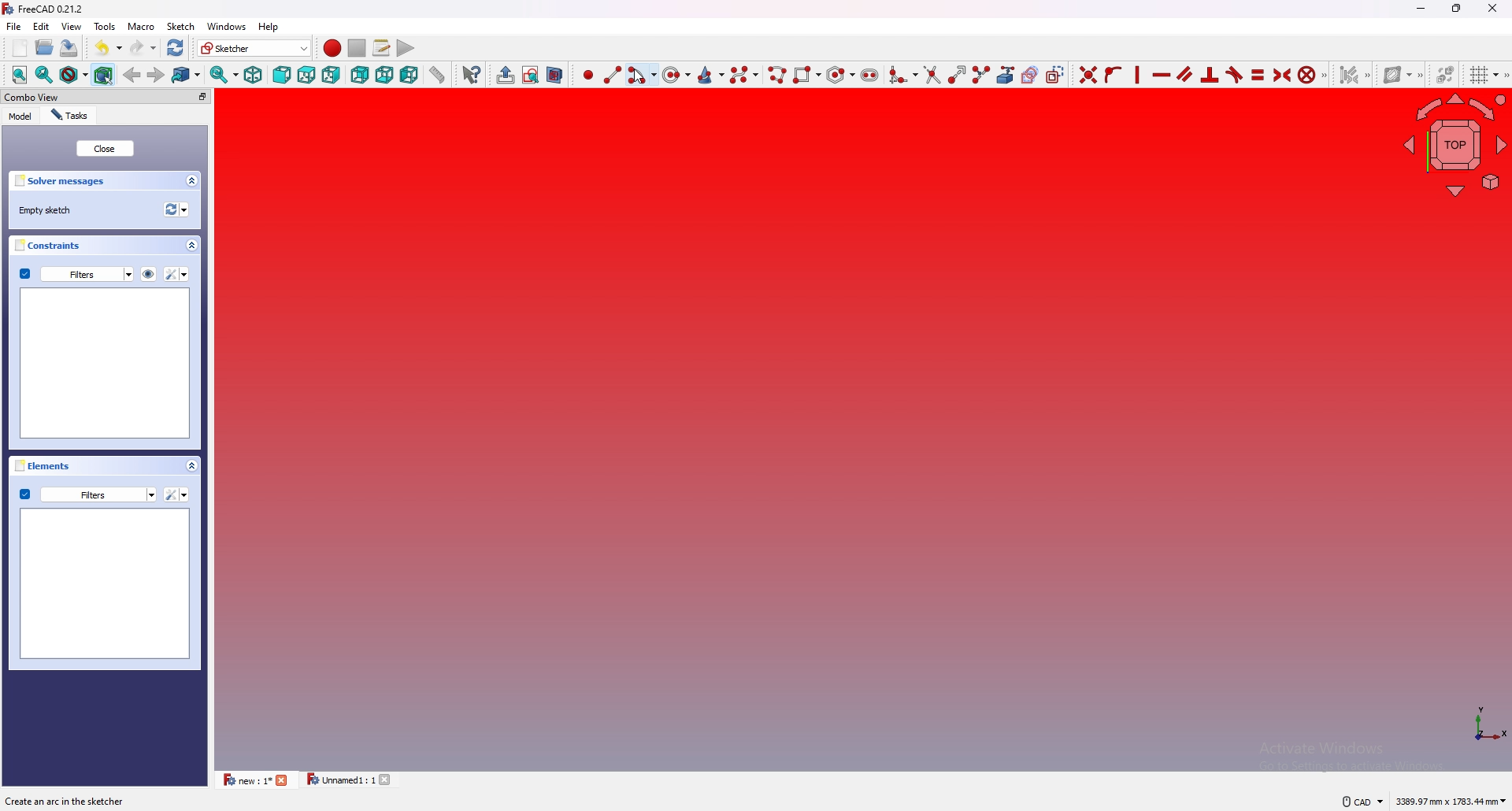 The width and height of the screenshot is (1512, 811). Describe the element at coordinates (20, 117) in the screenshot. I see `model` at that location.